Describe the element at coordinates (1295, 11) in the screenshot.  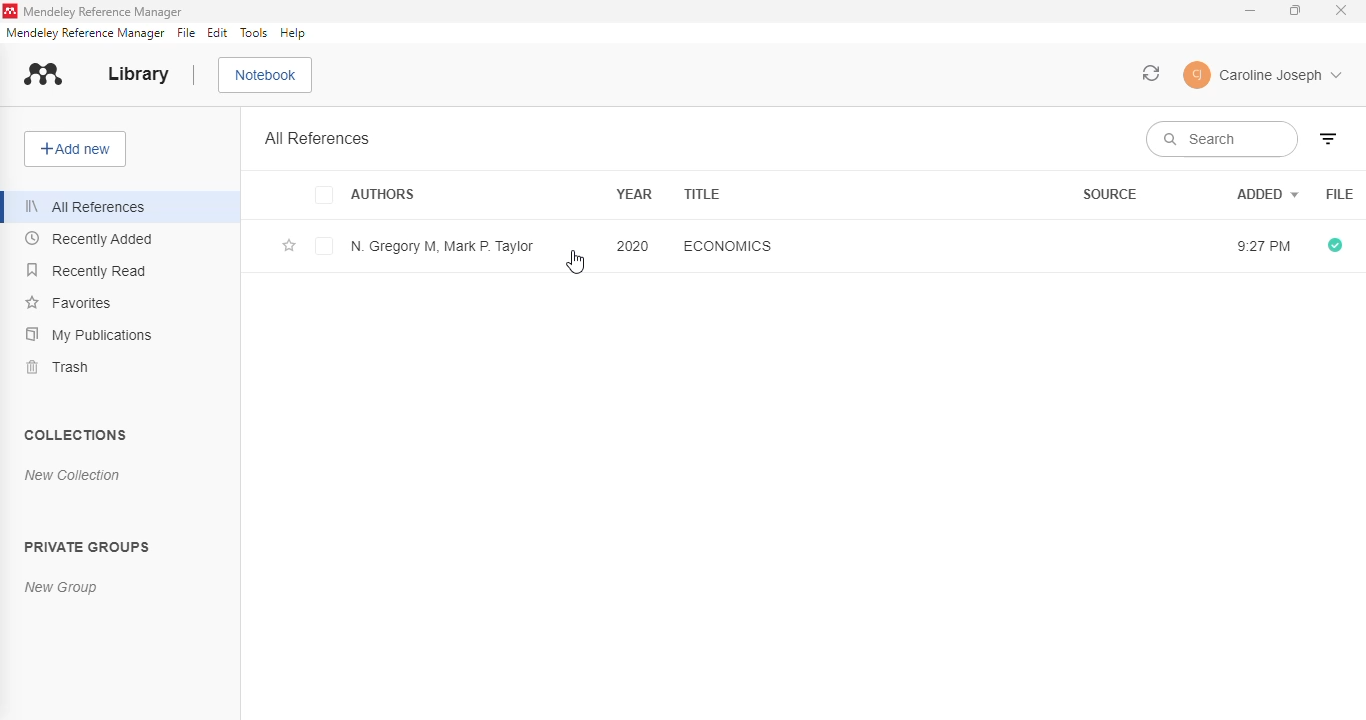
I see `maximize` at that location.